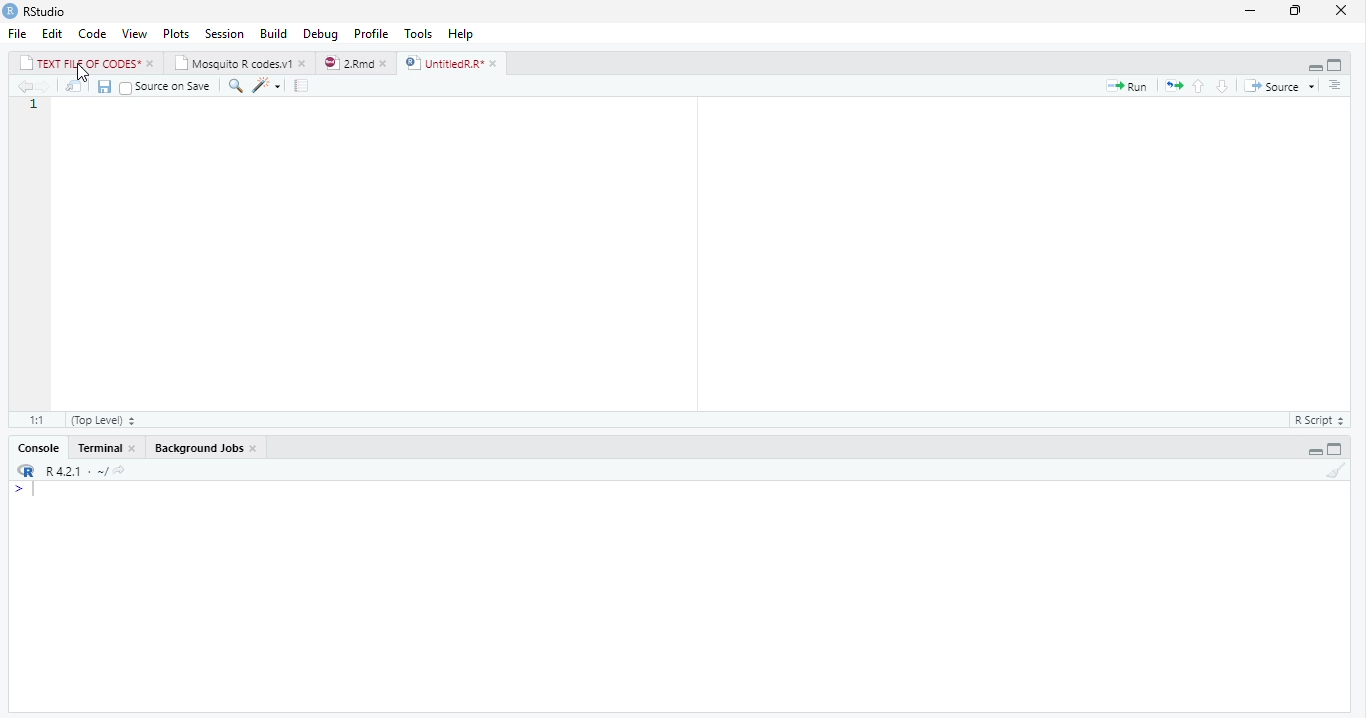 This screenshot has height=718, width=1366. What do you see at coordinates (348, 63) in the screenshot?
I see `2.Rmd` at bounding box center [348, 63].